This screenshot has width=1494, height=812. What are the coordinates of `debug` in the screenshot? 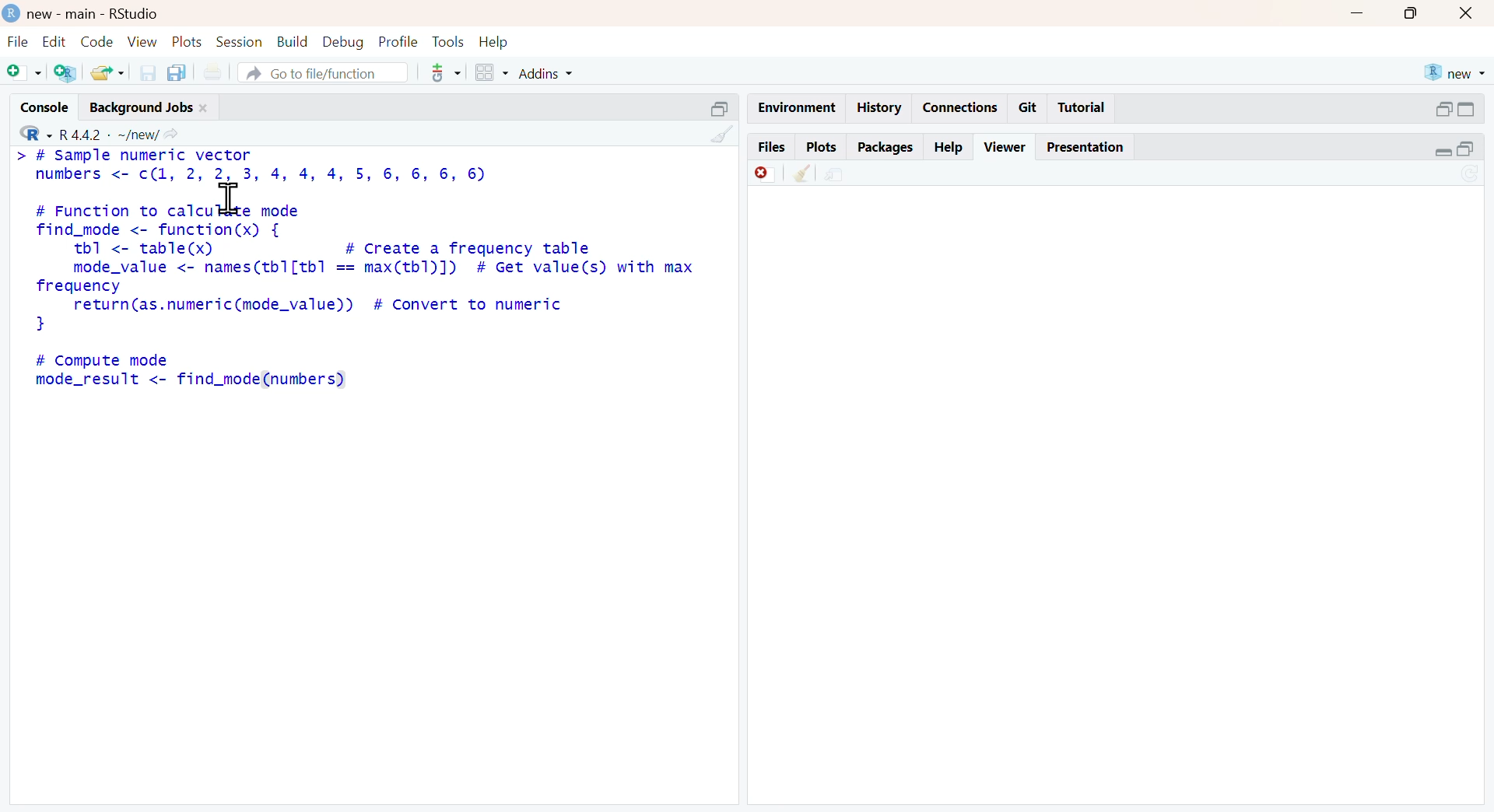 It's located at (344, 43).